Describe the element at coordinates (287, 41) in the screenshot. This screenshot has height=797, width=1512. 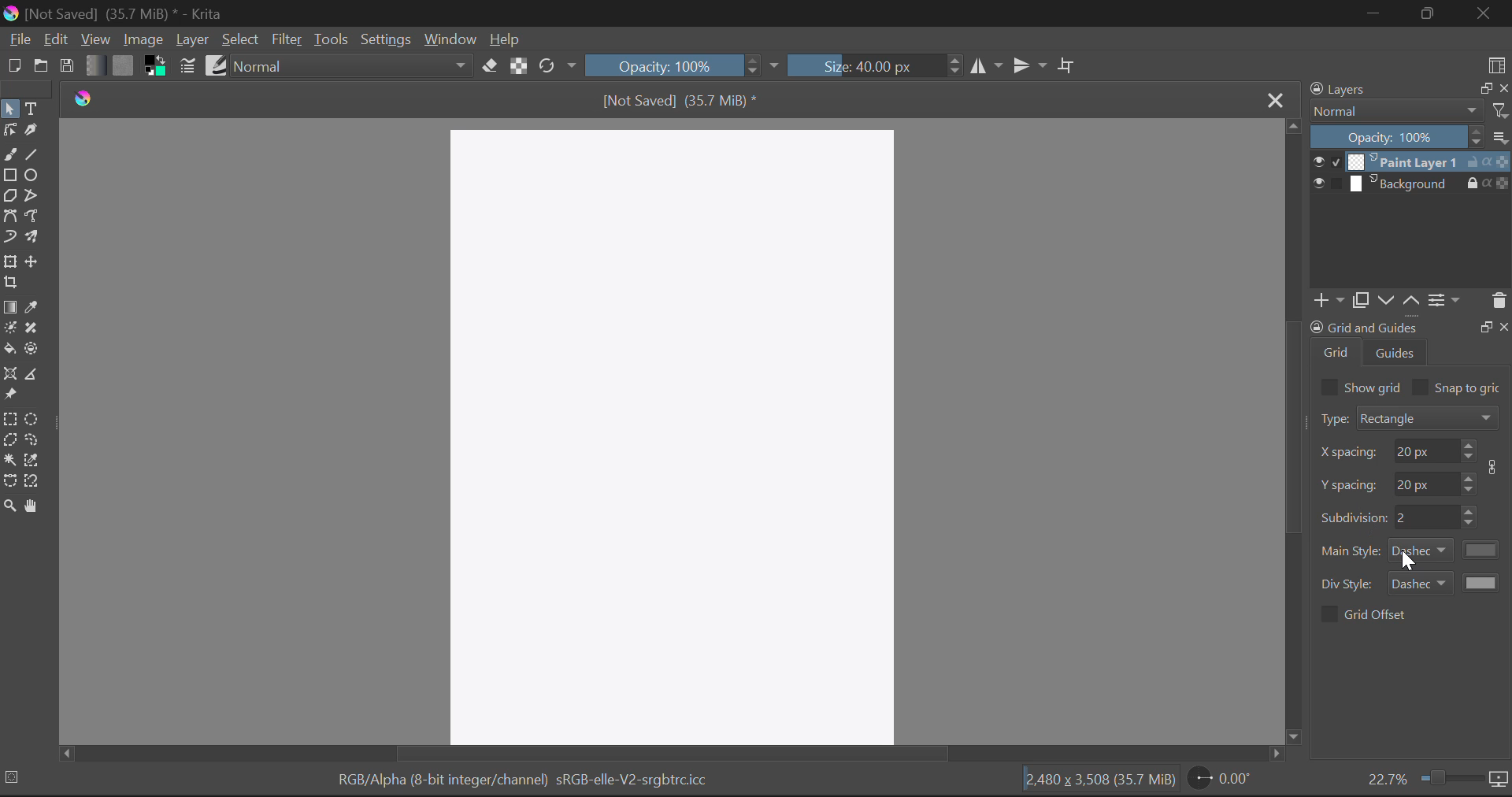
I see `Filter` at that location.